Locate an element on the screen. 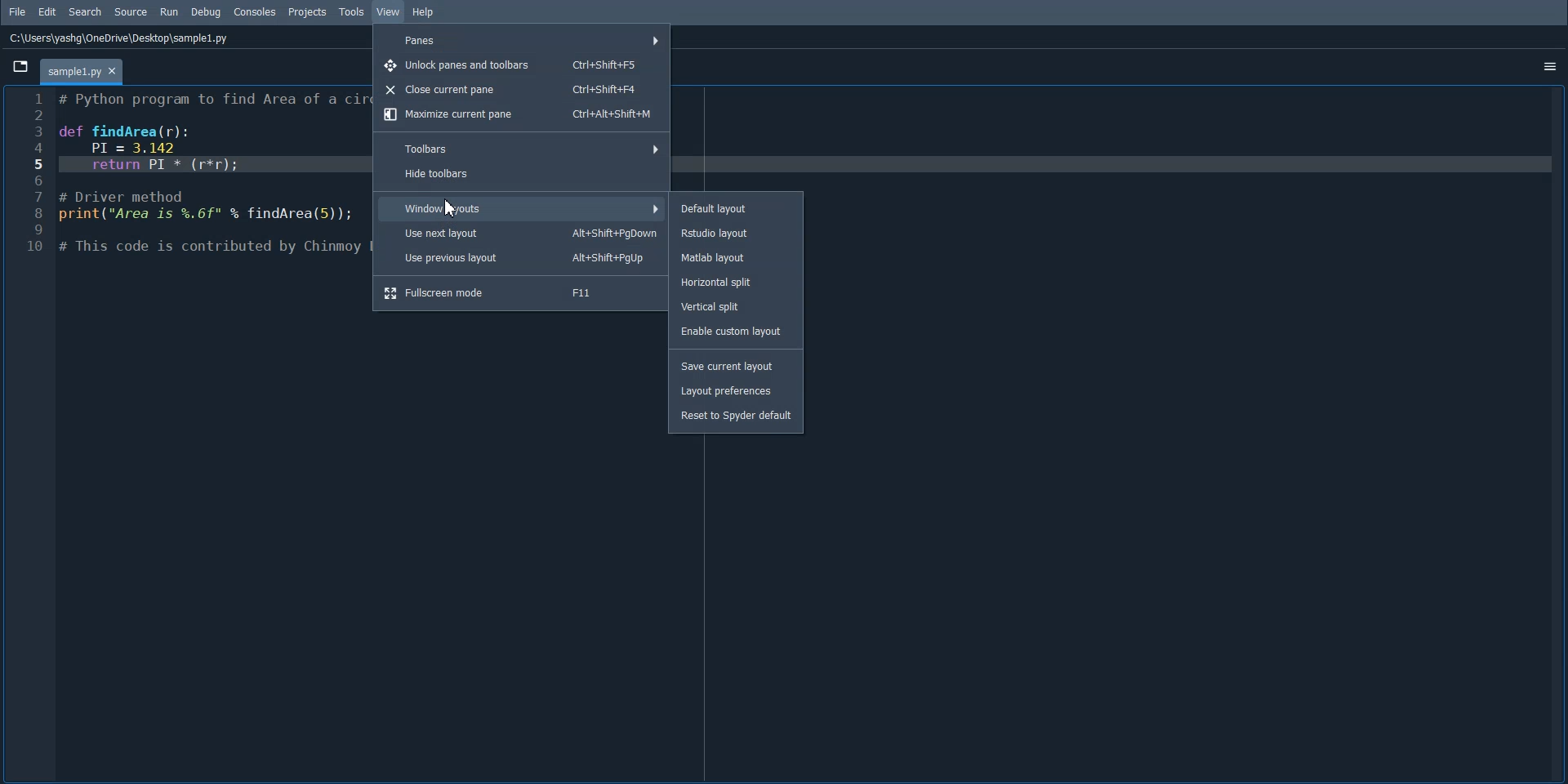  Window layout is located at coordinates (521, 208).